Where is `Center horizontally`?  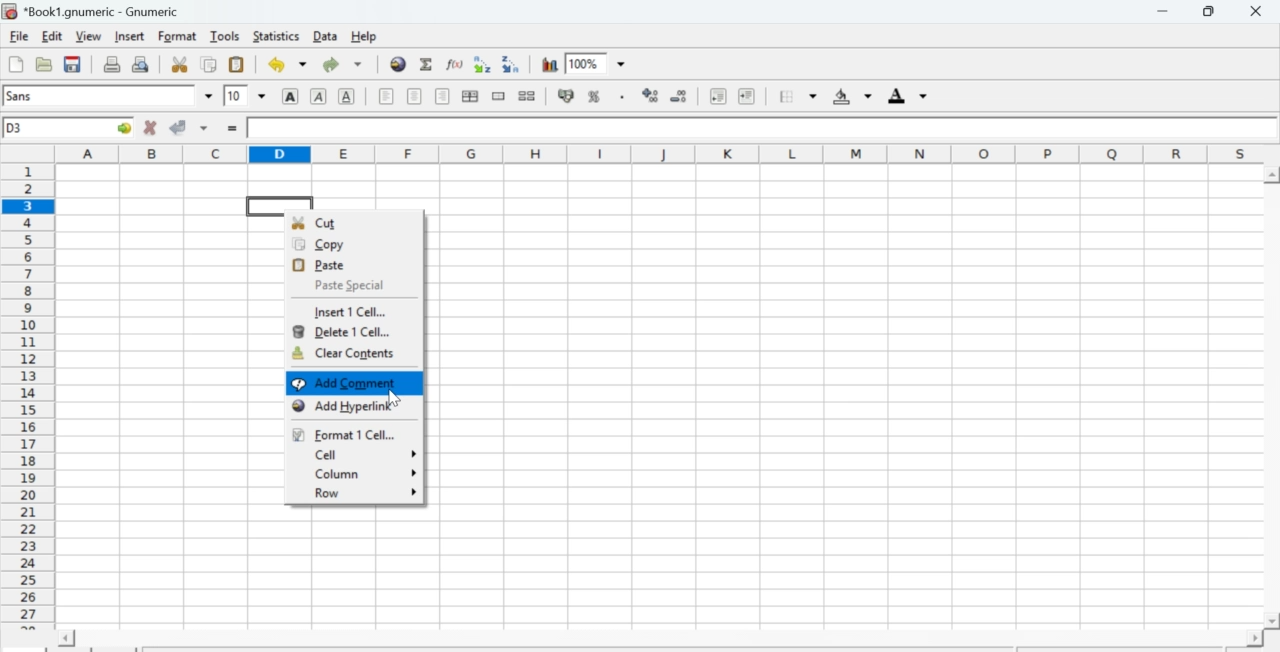
Center horizontally is located at coordinates (470, 97).